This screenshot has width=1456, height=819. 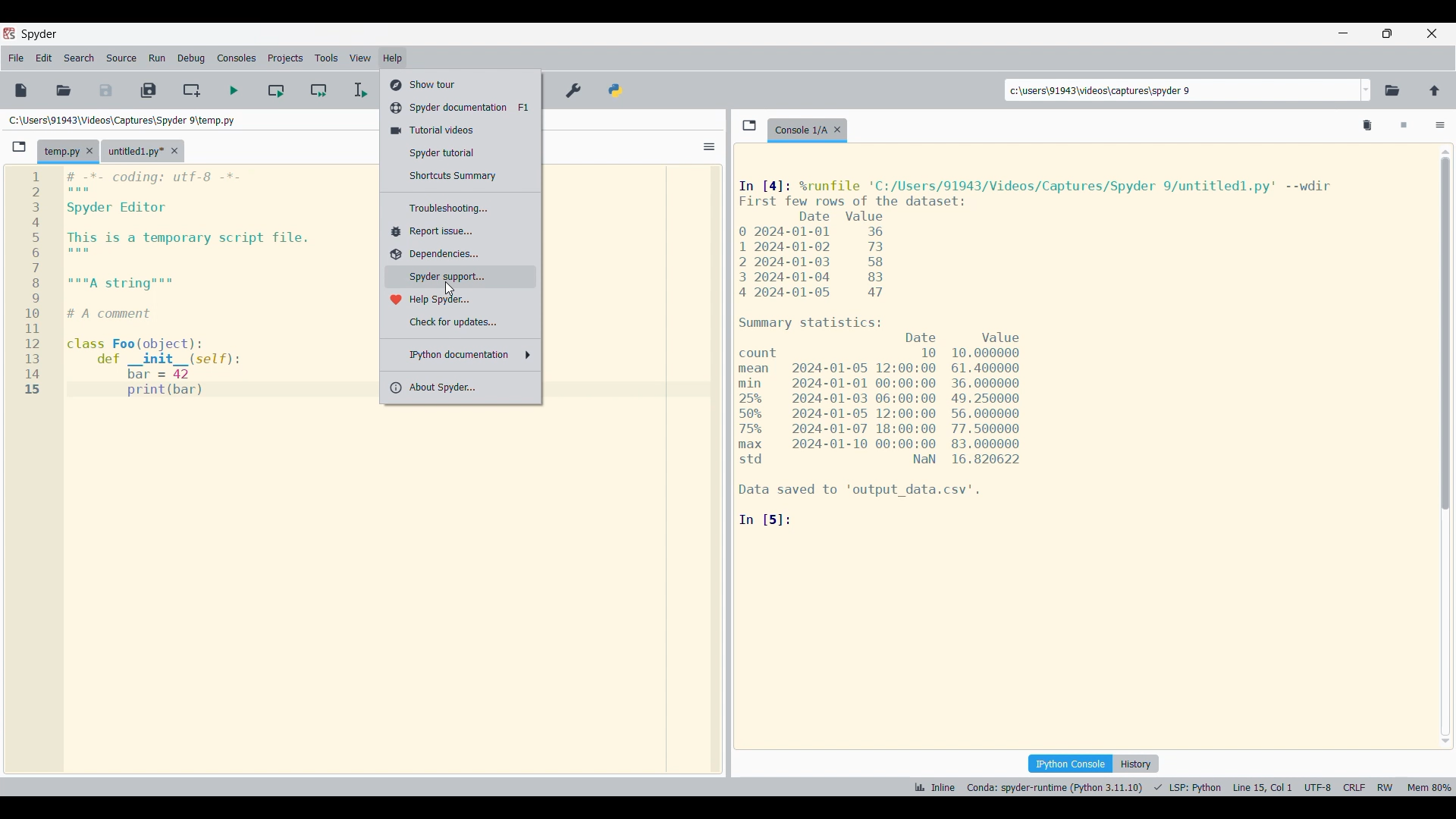 What do you see at coordinates (1182, 90) in the screenshot?
I see `Input location` at bounding box center [1182, 90].